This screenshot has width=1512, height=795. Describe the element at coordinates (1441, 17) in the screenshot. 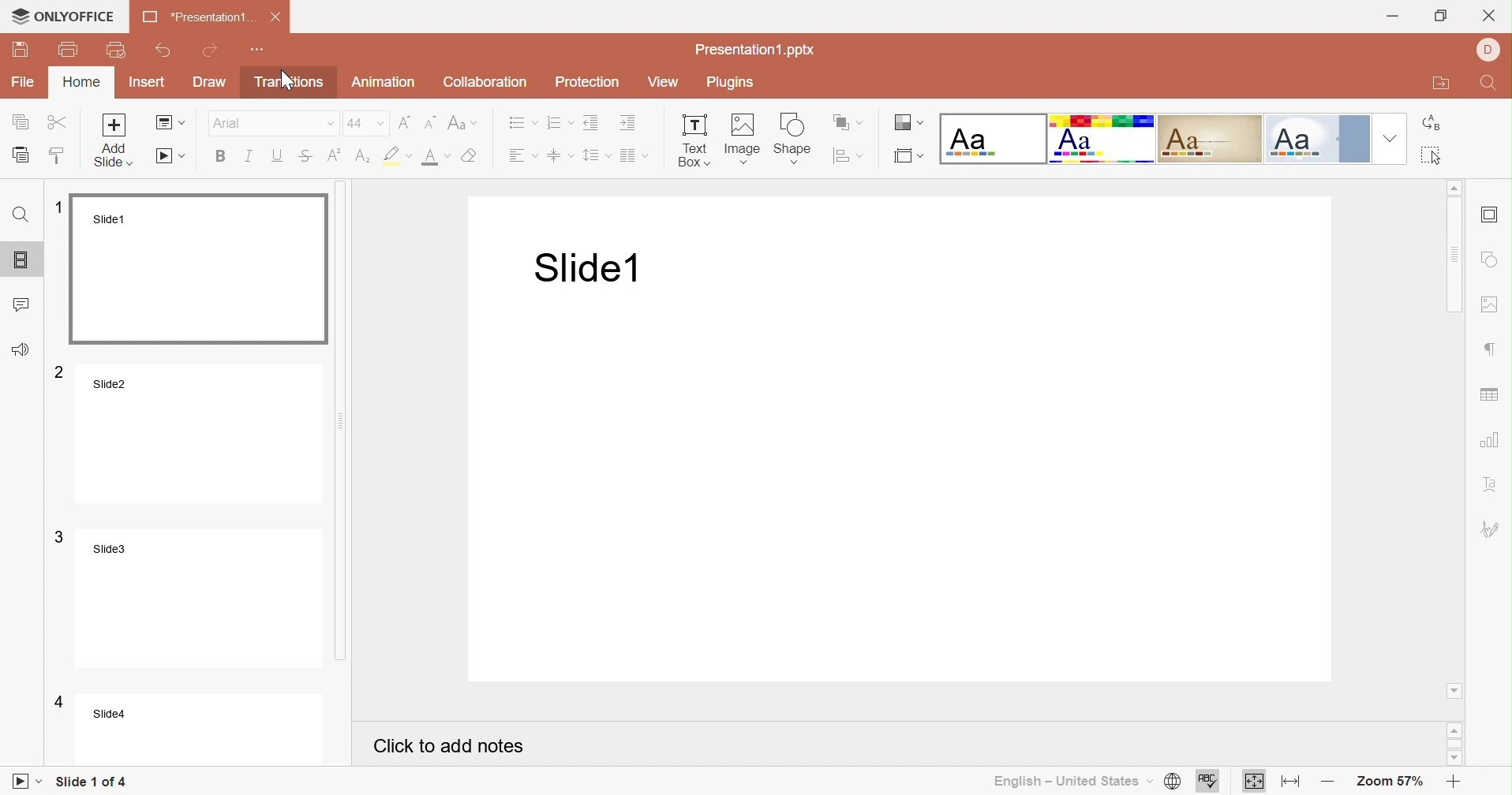

I see `Restore down` at that location.